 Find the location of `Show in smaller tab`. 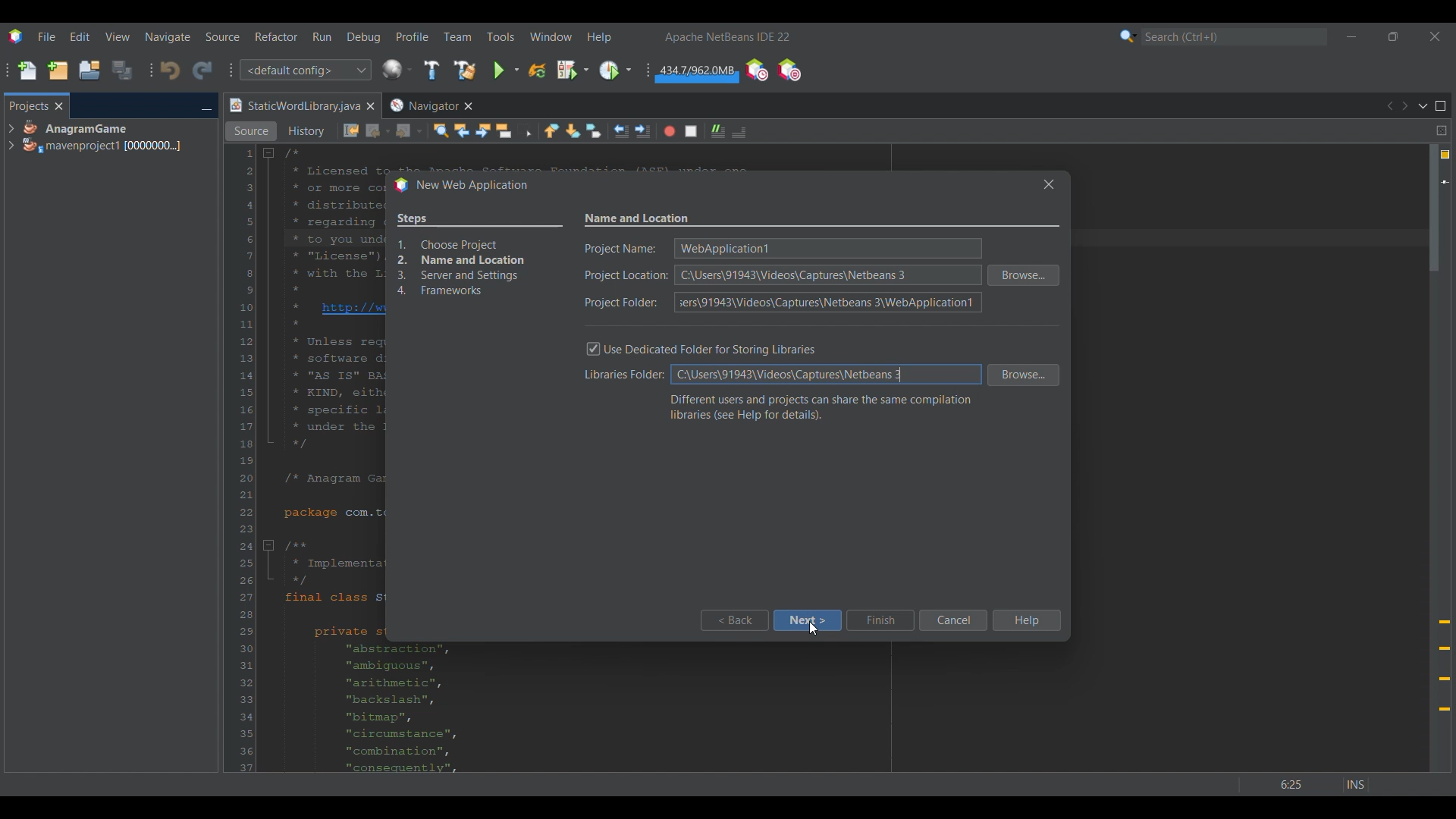

Show in smaller tab is located at coordinates (1393, 36).